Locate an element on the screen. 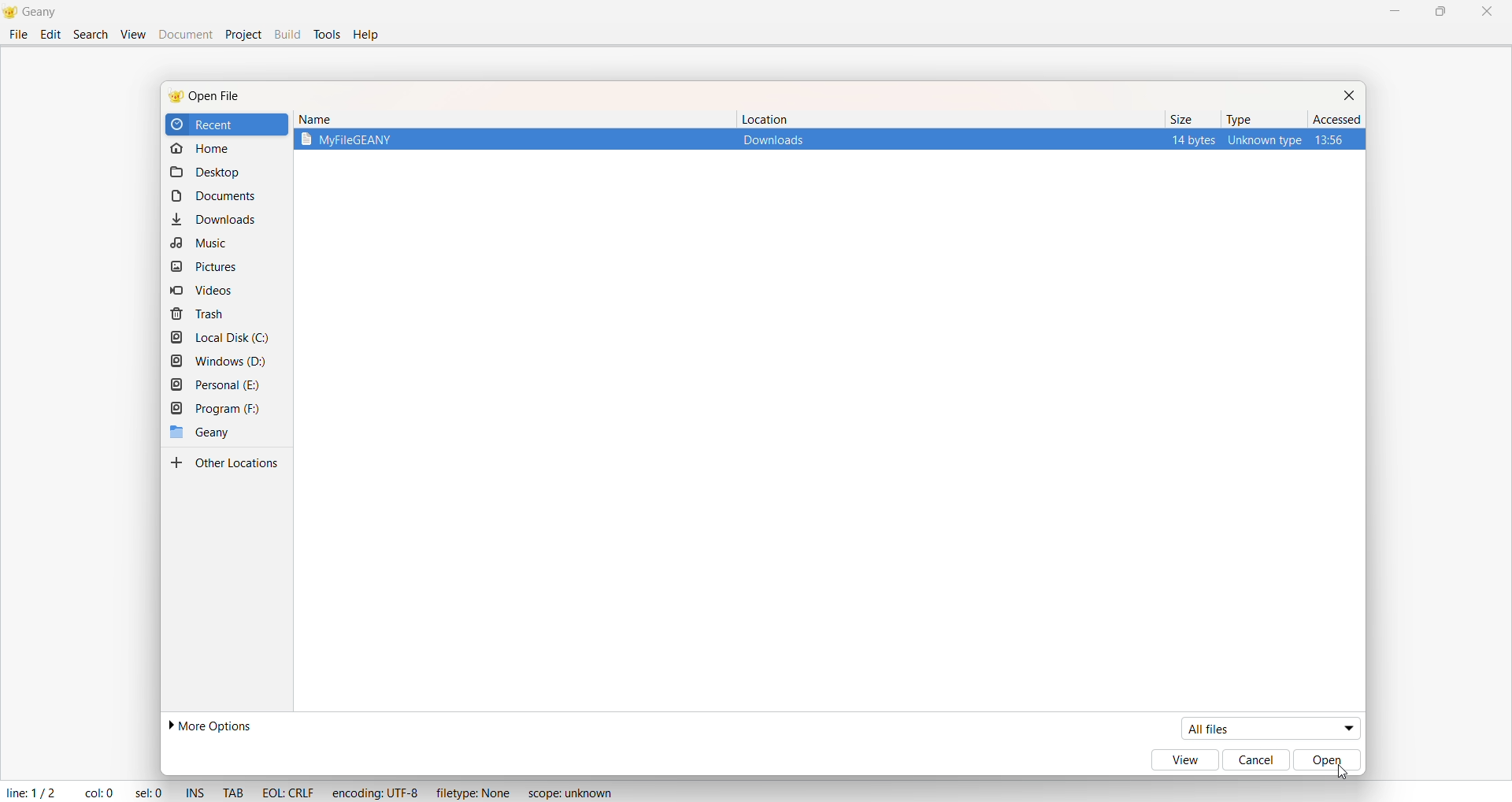  pictures is located at coordinates (205, 267).